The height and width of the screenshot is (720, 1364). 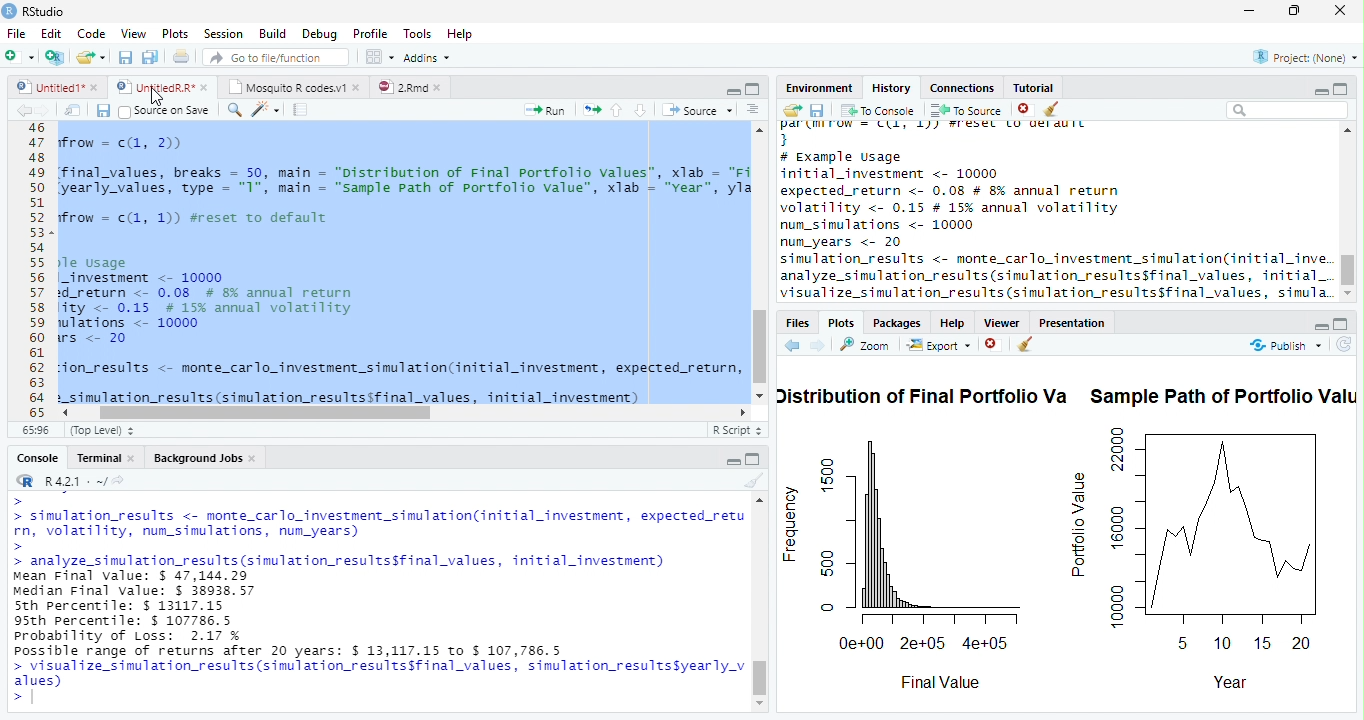 I want to click on Open new file, so click(x=19, y=56).